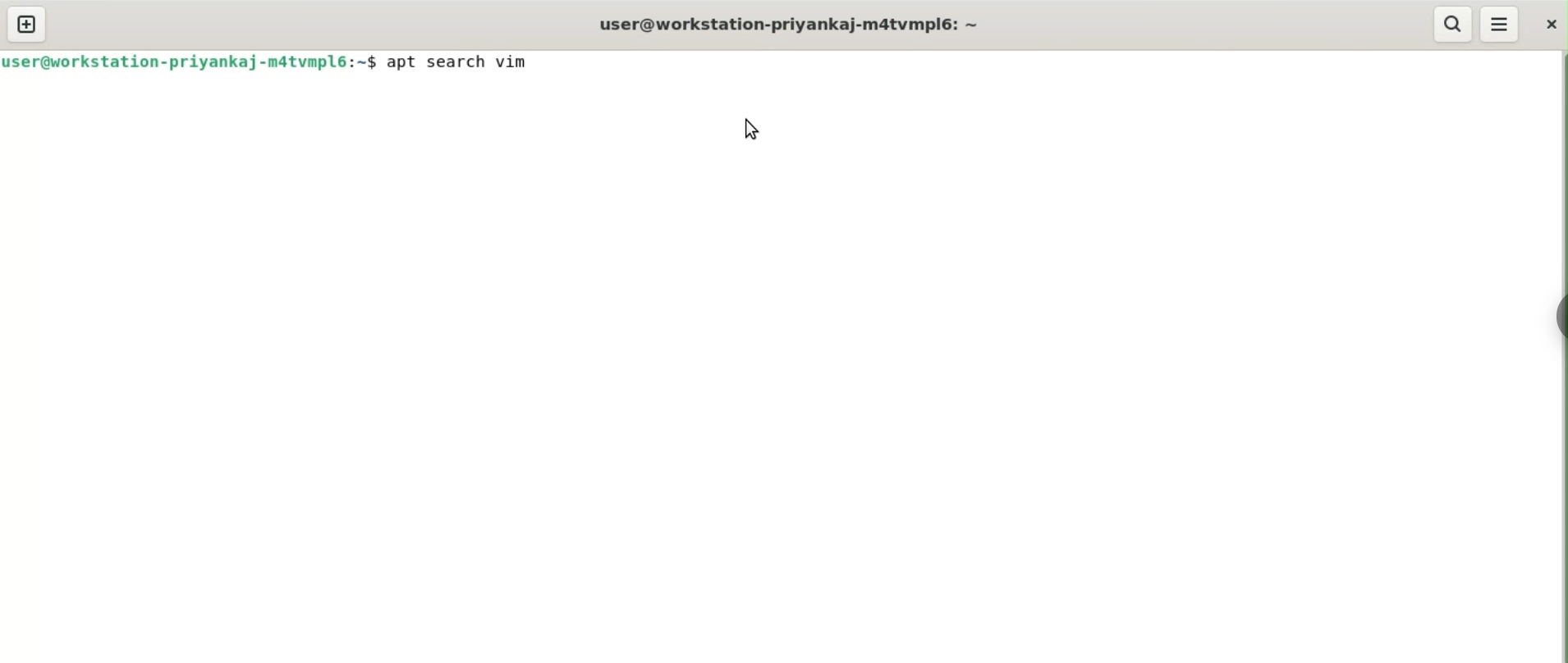 The width and height of the screenshot is (1568, 663). Describe the element at coordinates (744, 128) in the screenshot. I see `cursor` at that location.